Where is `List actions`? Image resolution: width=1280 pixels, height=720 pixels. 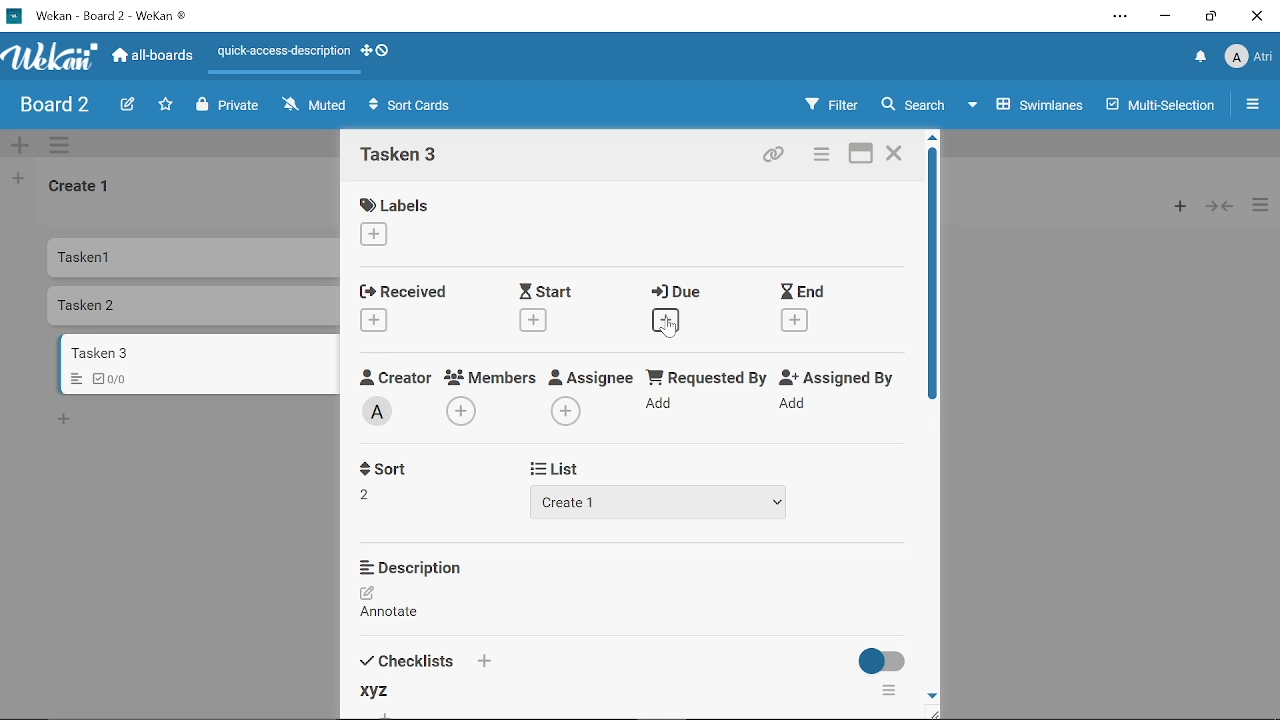
List actions is located at coordinates (1260, 207).